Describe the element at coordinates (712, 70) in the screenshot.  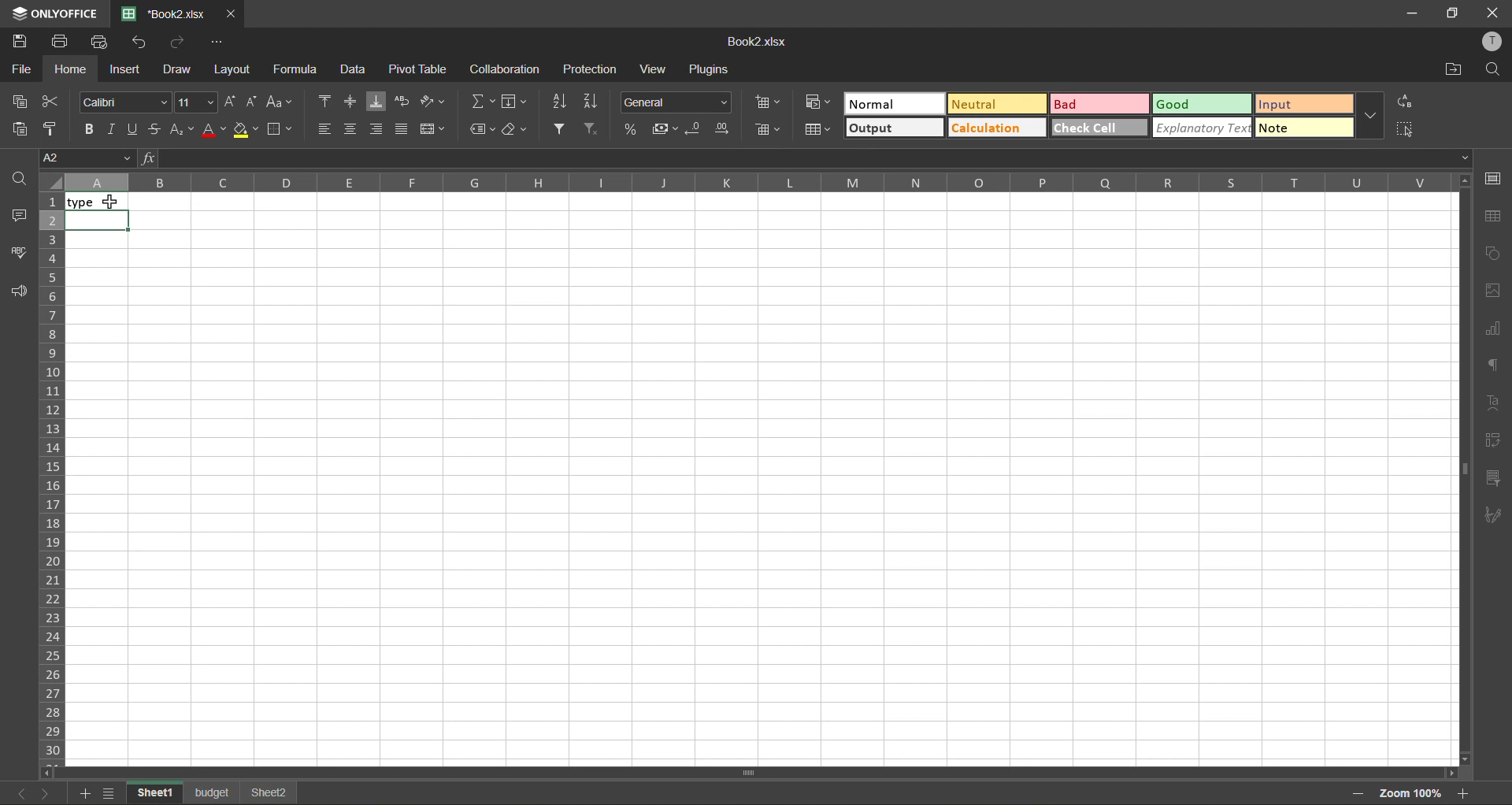
I see `plugins` at that location.